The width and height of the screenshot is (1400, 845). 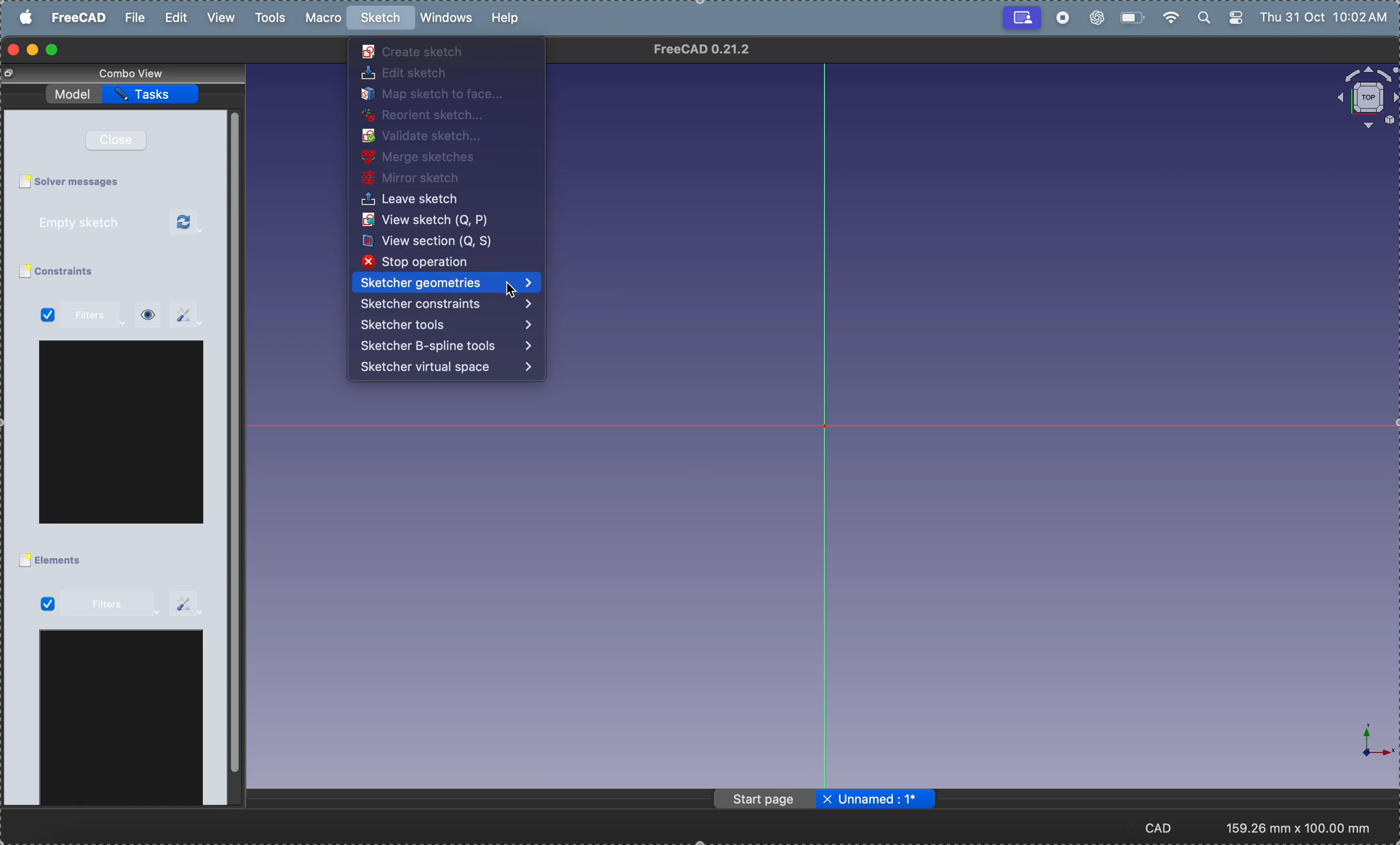 I want to click on task, so click(x=153, y=94).